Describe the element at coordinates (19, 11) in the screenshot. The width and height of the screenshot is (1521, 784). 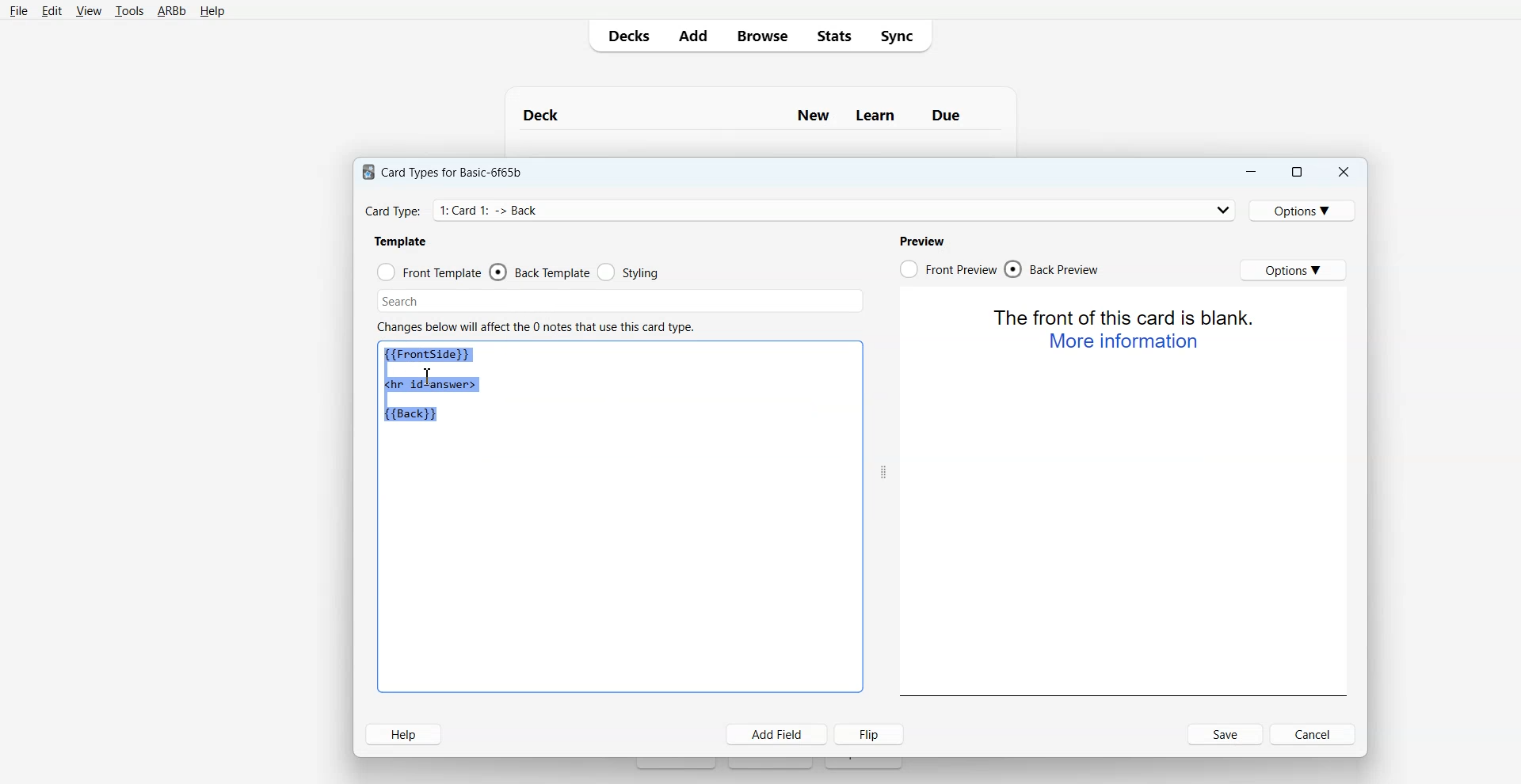
I see `File` at that location.